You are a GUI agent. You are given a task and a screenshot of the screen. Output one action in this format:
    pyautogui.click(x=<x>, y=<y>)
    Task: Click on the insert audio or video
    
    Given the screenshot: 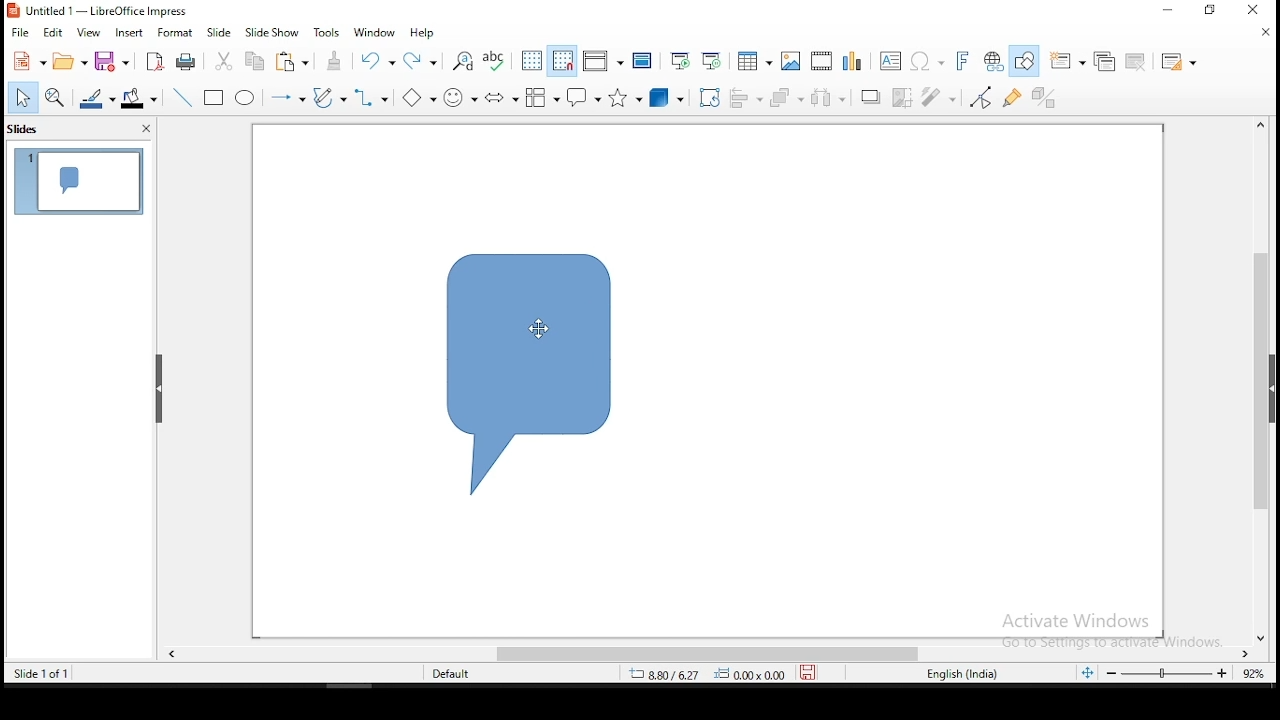 What is the action you would take?
    pyautogui.click(x=819, y=61)
    